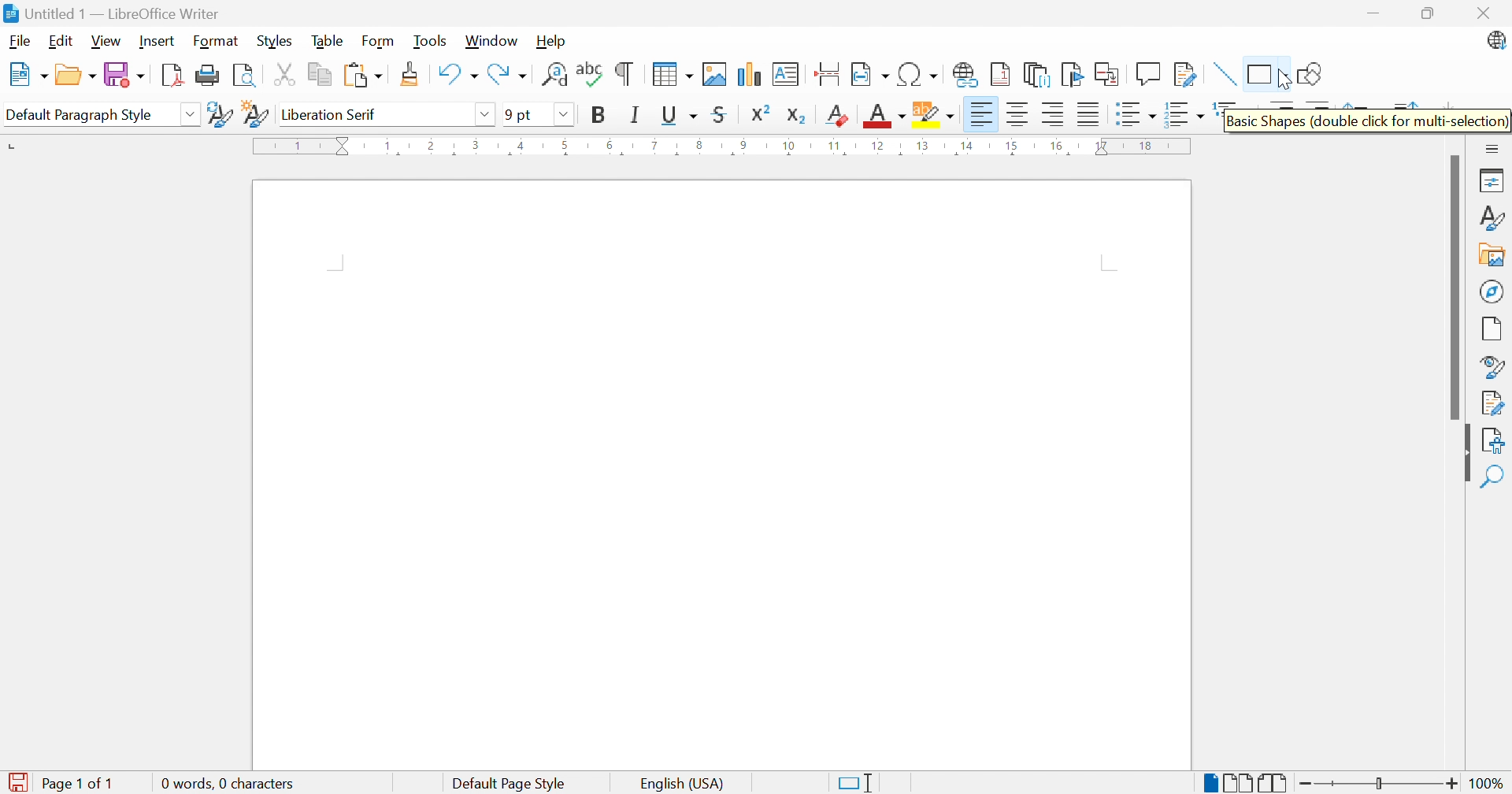 The height and width of the screenshot is (794, 1512). What do you see at coordinates (221, 115) in the screenshot?
I see `Update selected style` at bounding box center [221, 115].